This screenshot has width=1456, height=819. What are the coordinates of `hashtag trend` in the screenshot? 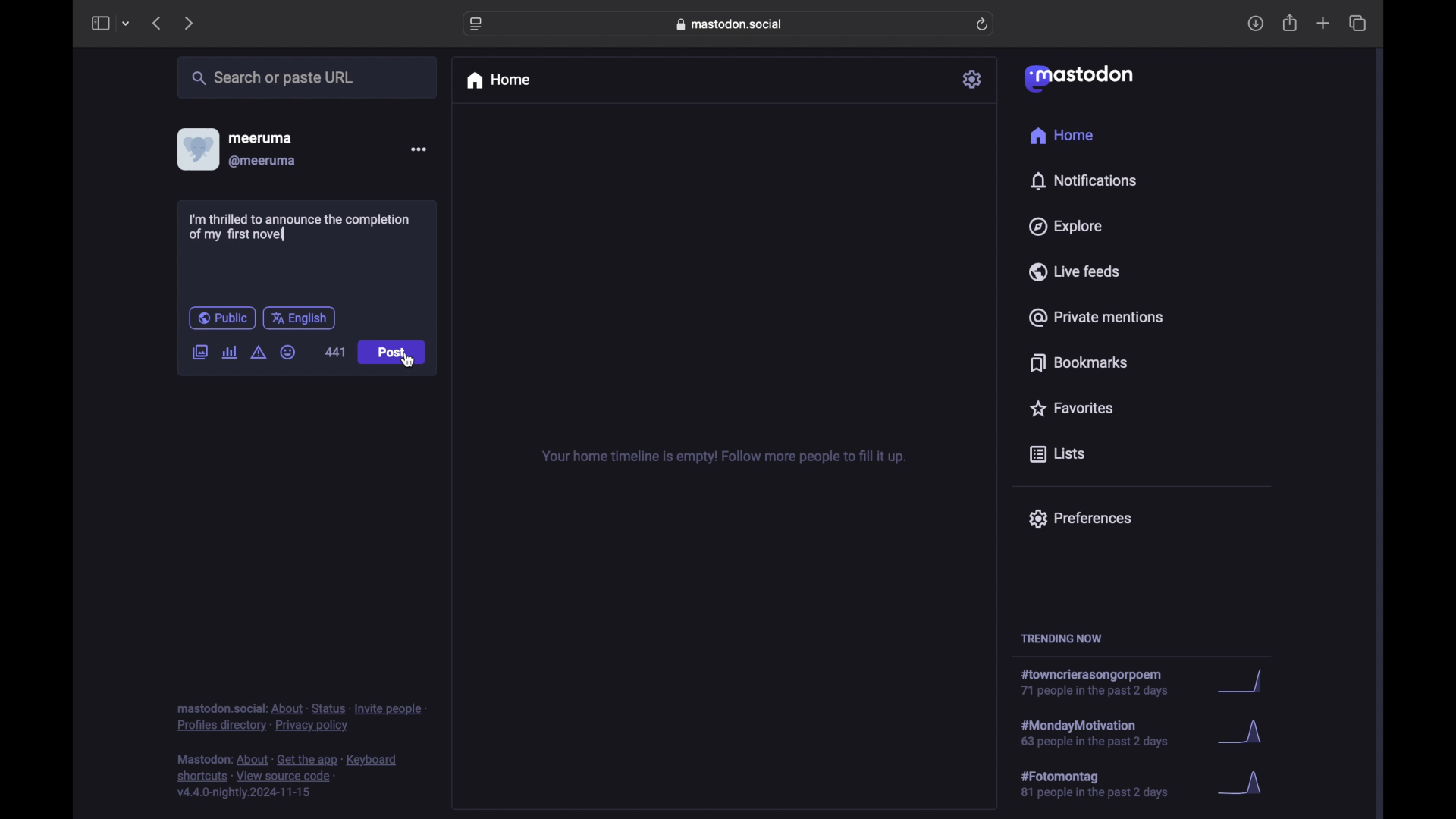 It's located at (1105, 783).